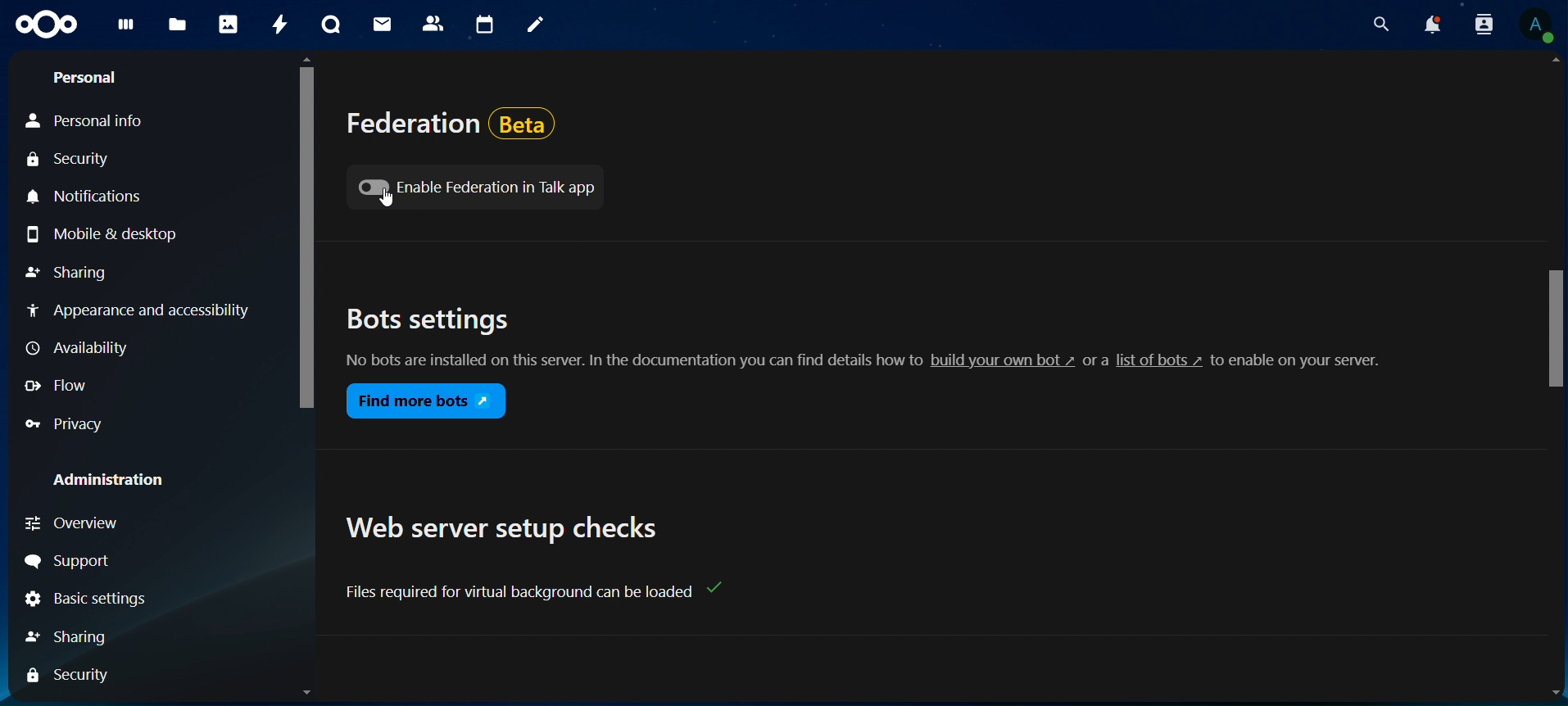 The image size is (1568, 706). I want to click on find more bots, so click(426, 402).